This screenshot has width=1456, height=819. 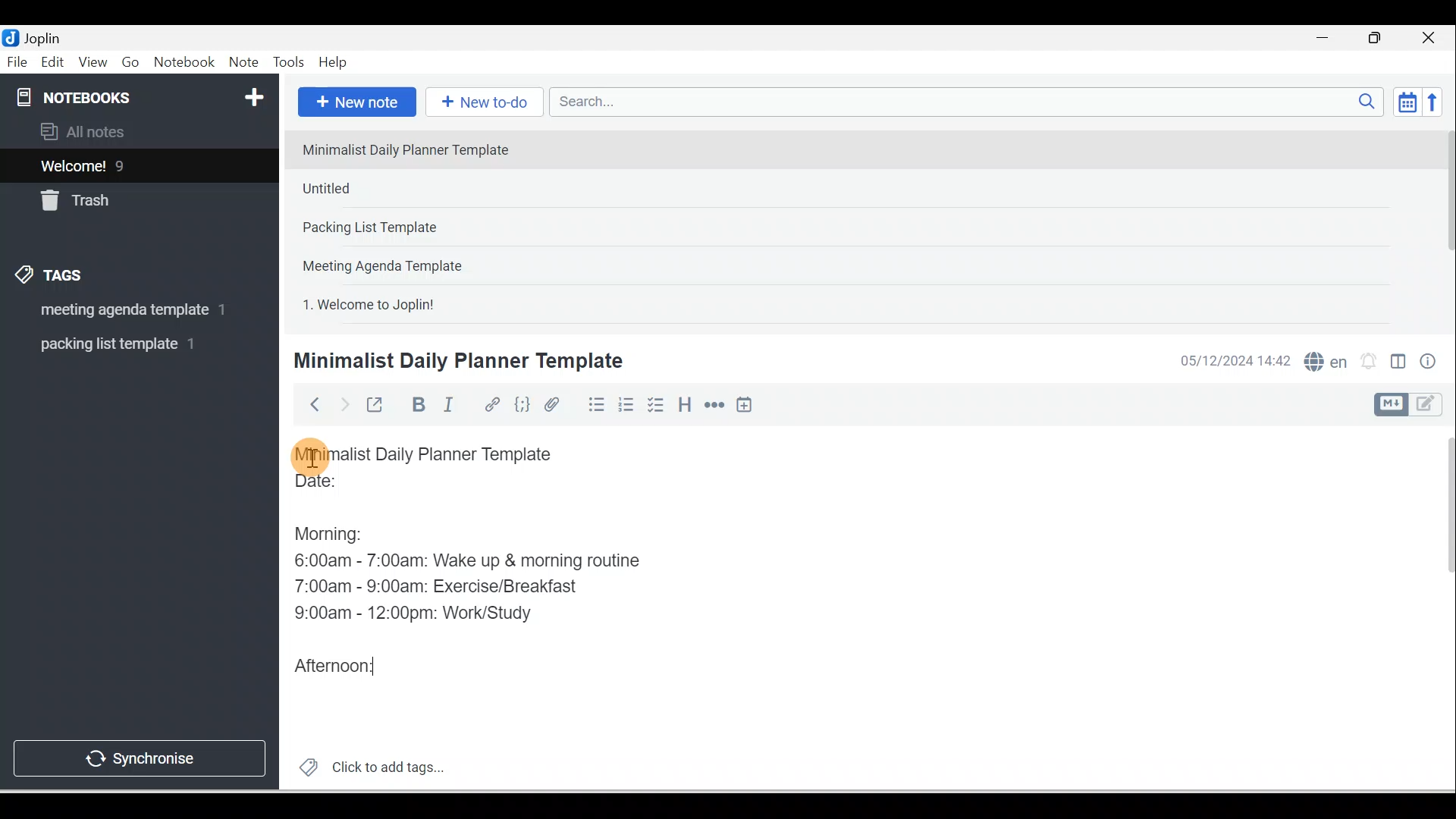 I want to click on Back, so click(x=308, y=404).